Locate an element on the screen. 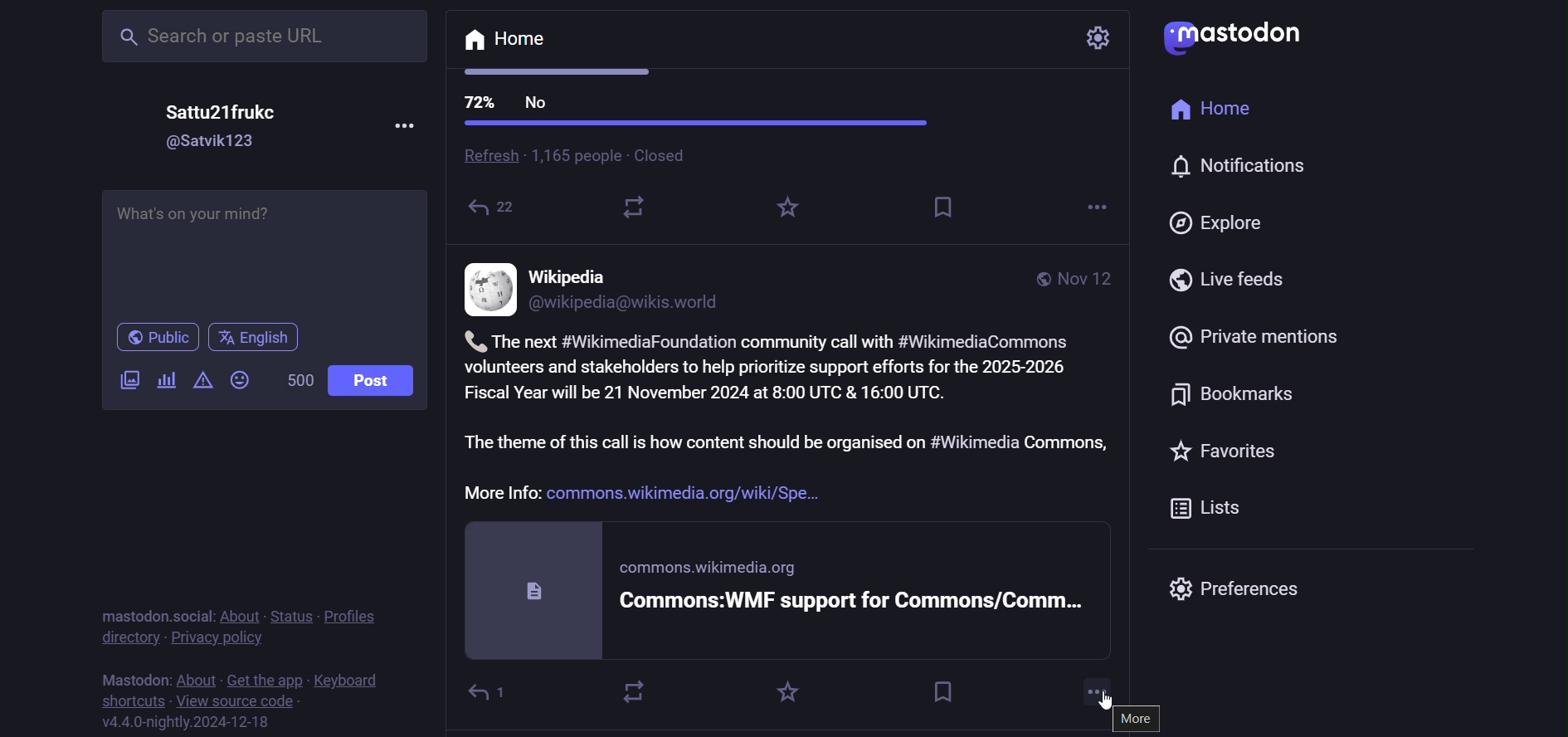 The height and width of the screenshot is (737, 1568). name is located at coordinates (221, 110).